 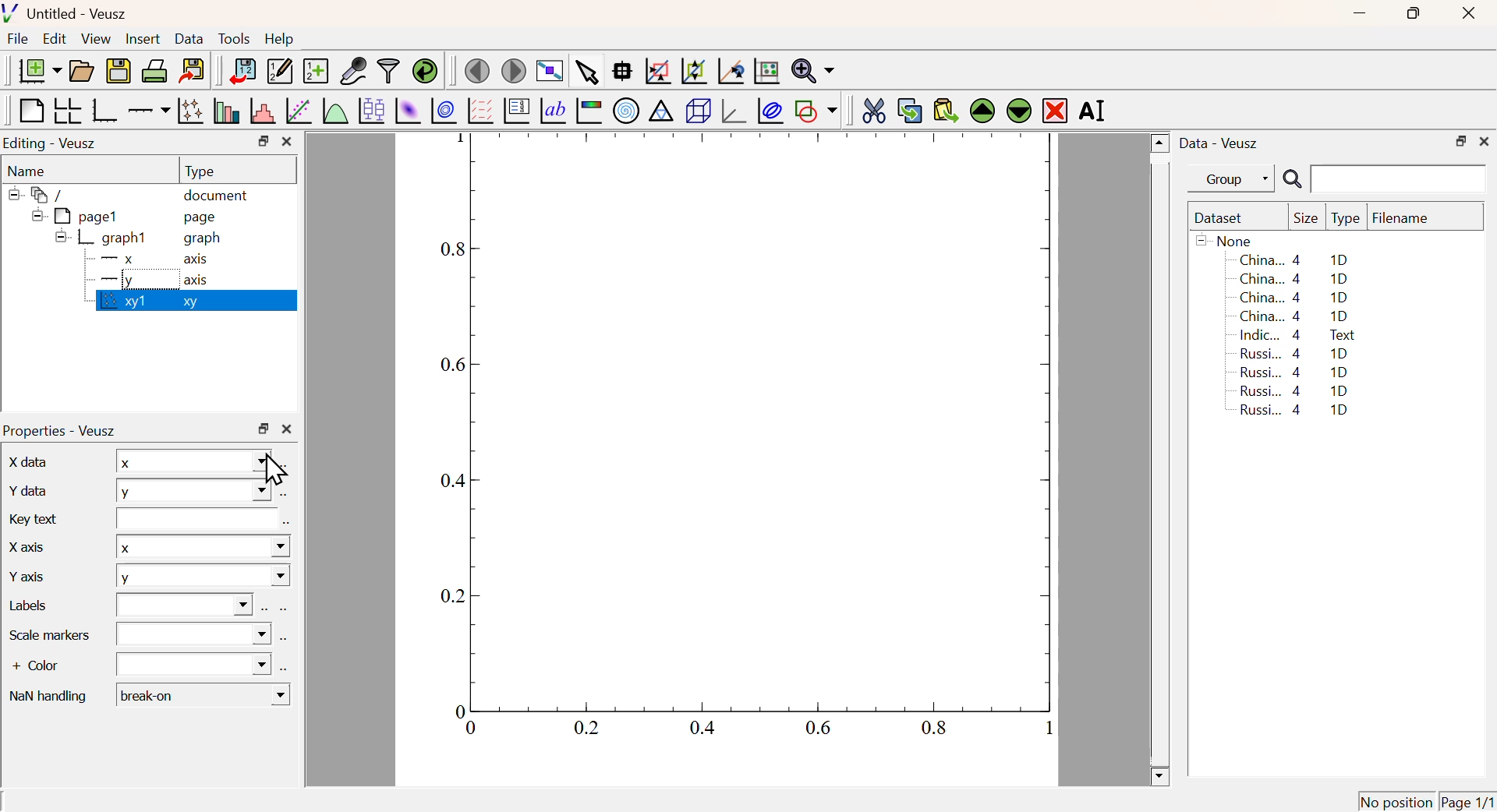 I want to click on View, so click(x=95, y=40).